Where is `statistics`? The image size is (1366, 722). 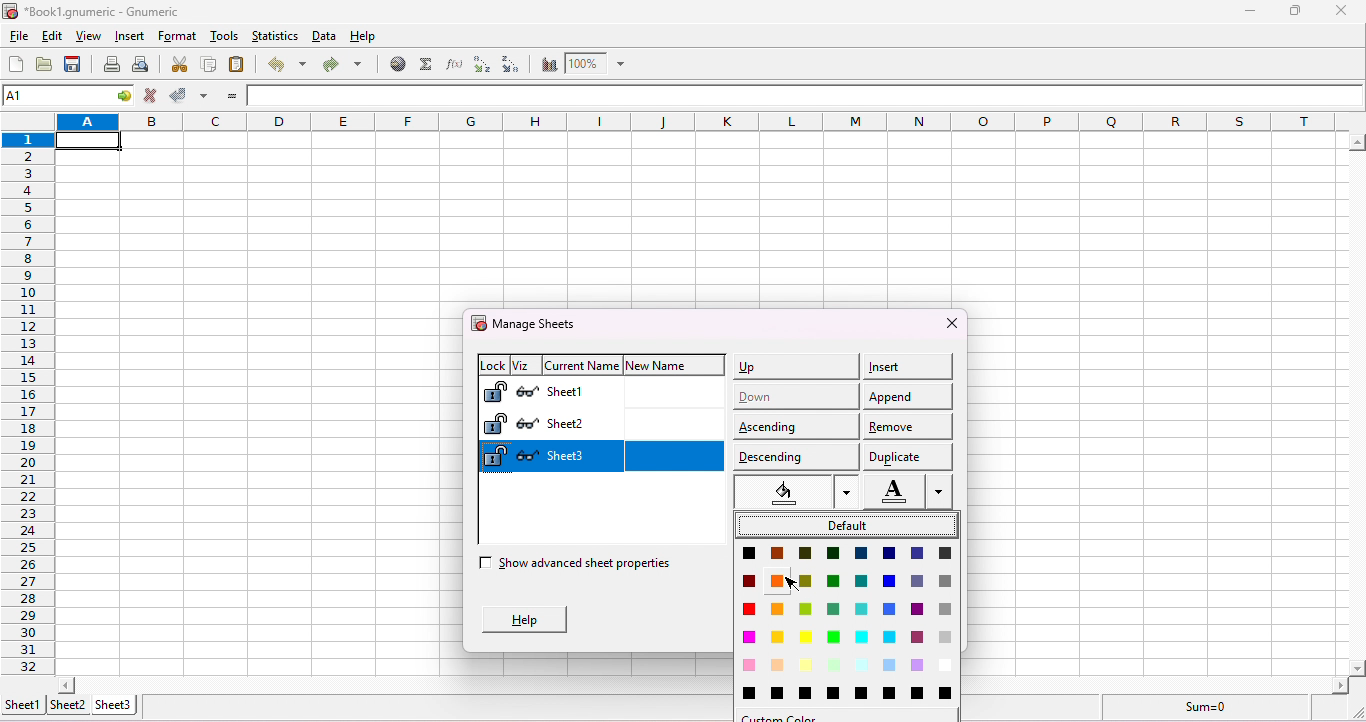 statistics is located at coordinates (277, 36).